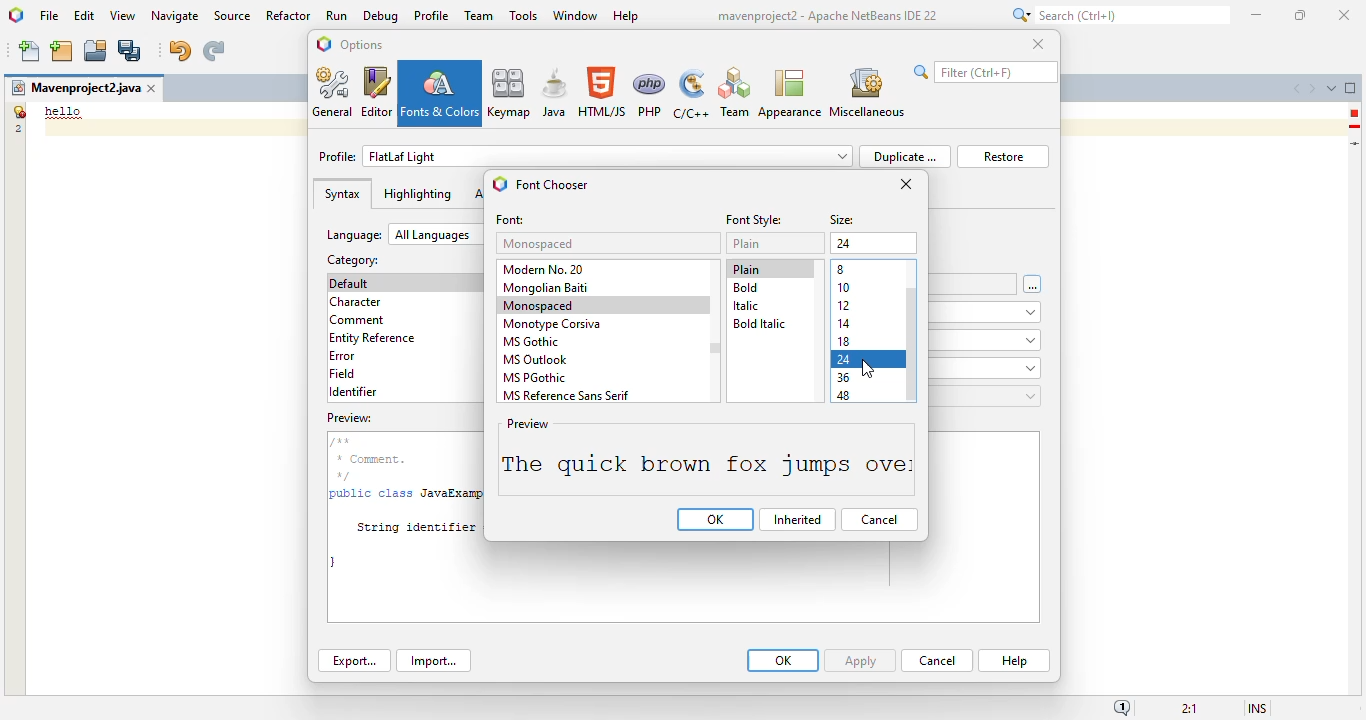 This screenshot has height=720, width=1366. What do you see at coordinates (338, 15) in the screenshot?
I see `run` at bounding box center [338, 15].